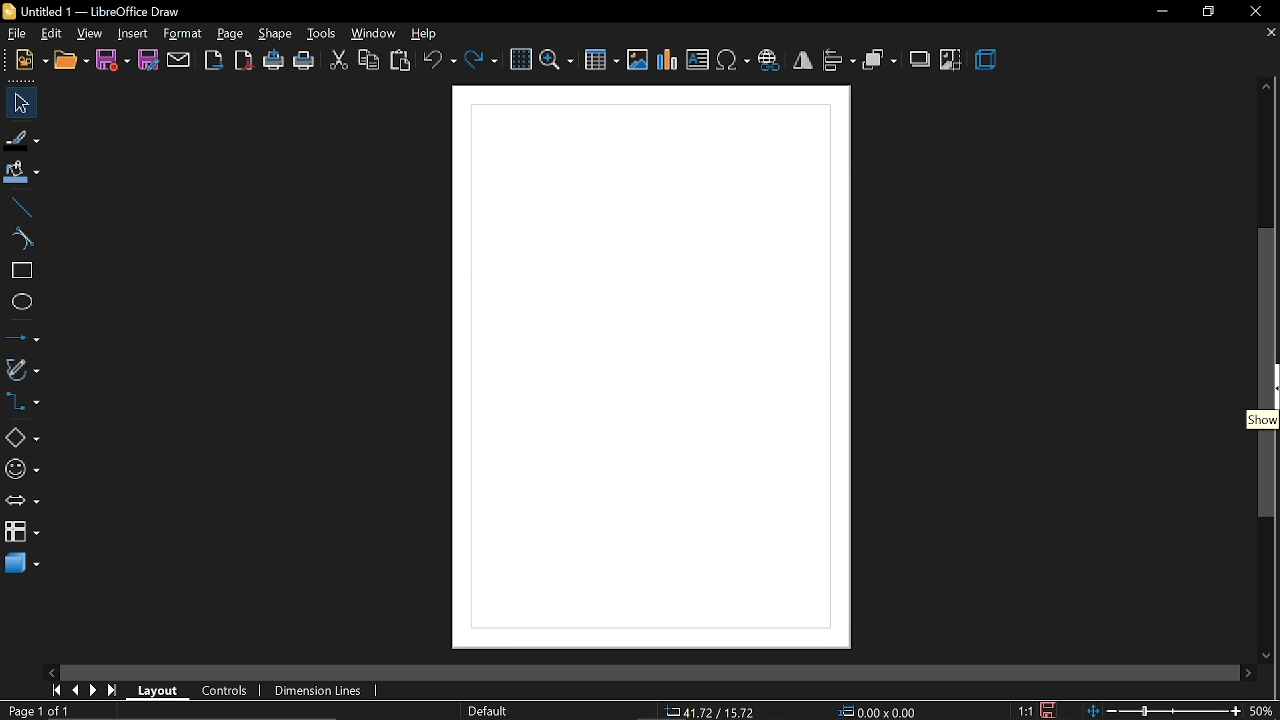 This screenshot has width=1280, height=720. I want to click on position, so click(878, 712).